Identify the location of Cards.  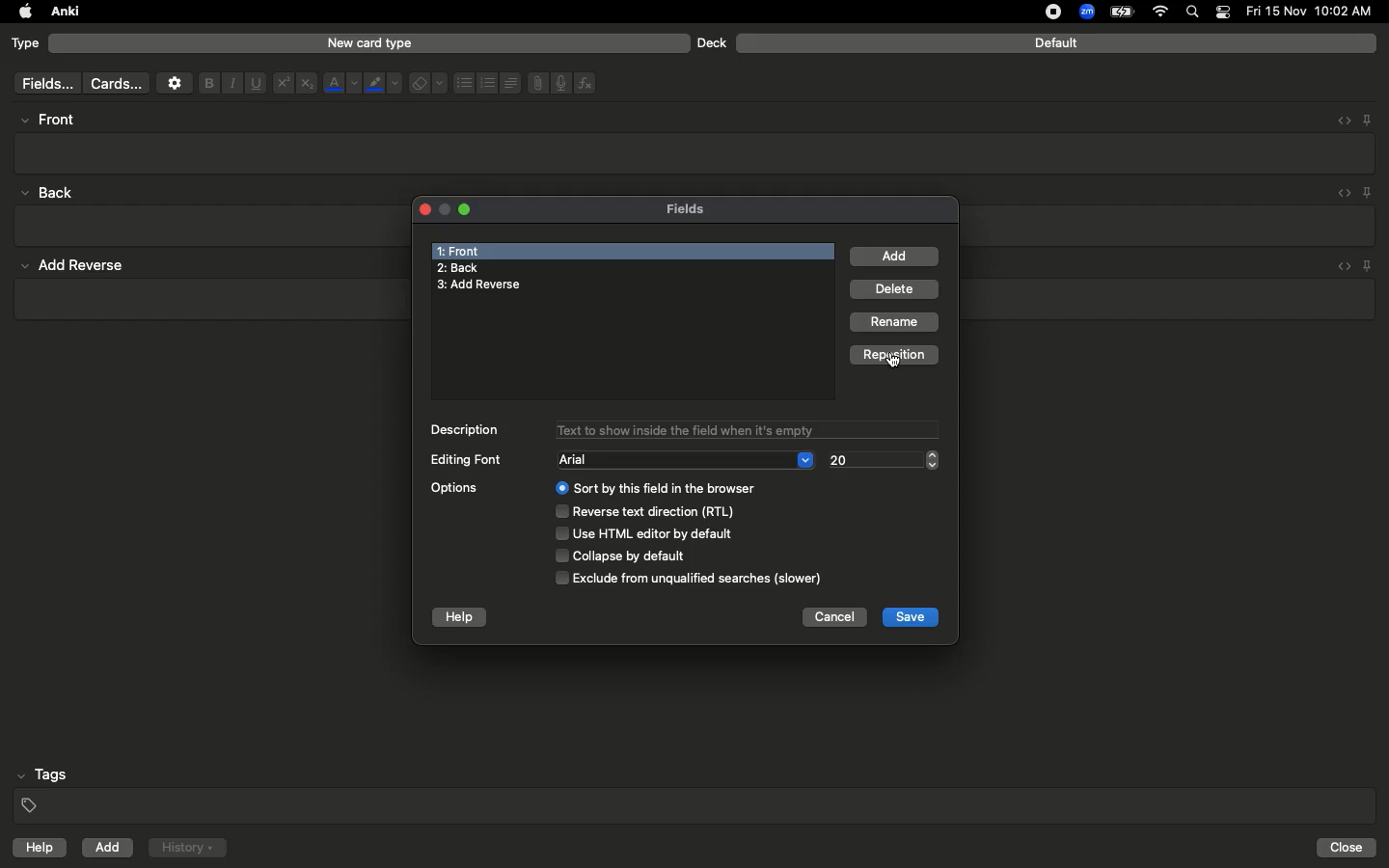
(116, 84).